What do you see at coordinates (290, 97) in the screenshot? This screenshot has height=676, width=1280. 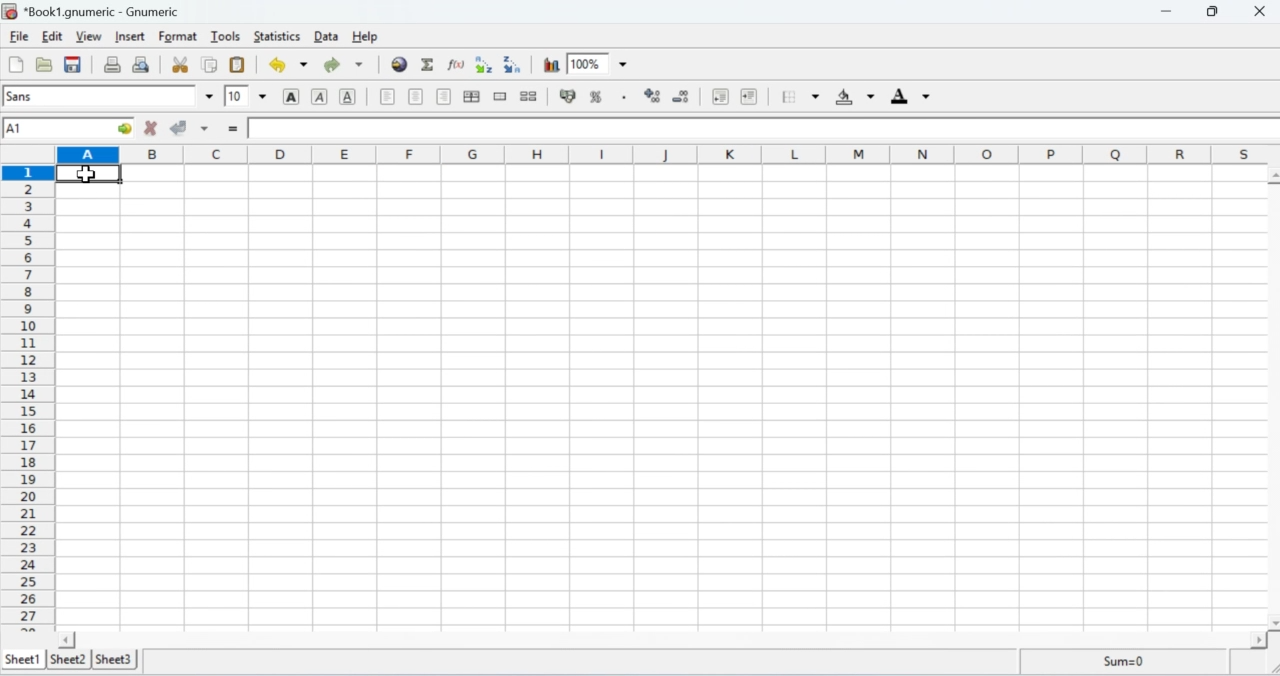 I see `` at bounding box center [290, 97].